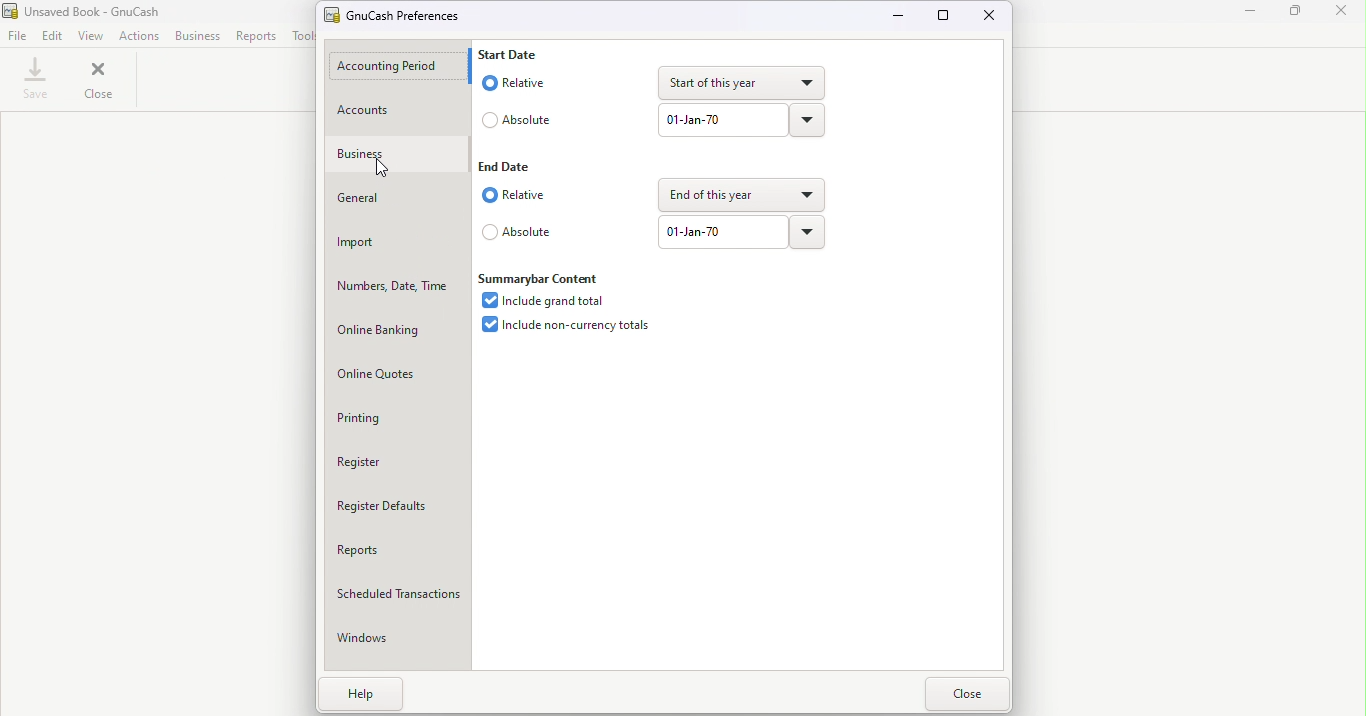 Image resolution: width=1366 pixels, height=716 pixels. Describe the element at coordinates (1299, 11) in the screenshot. I see `Maximize` at that location.